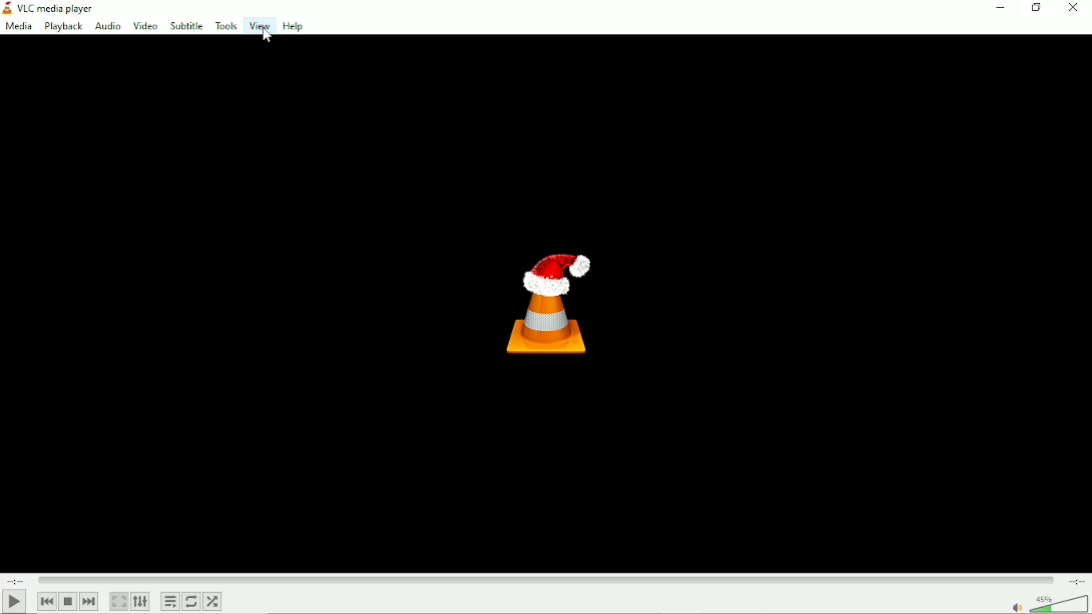 This screenshot has width=1092, height=614. I want to click on restore down, so click(1036, 9).